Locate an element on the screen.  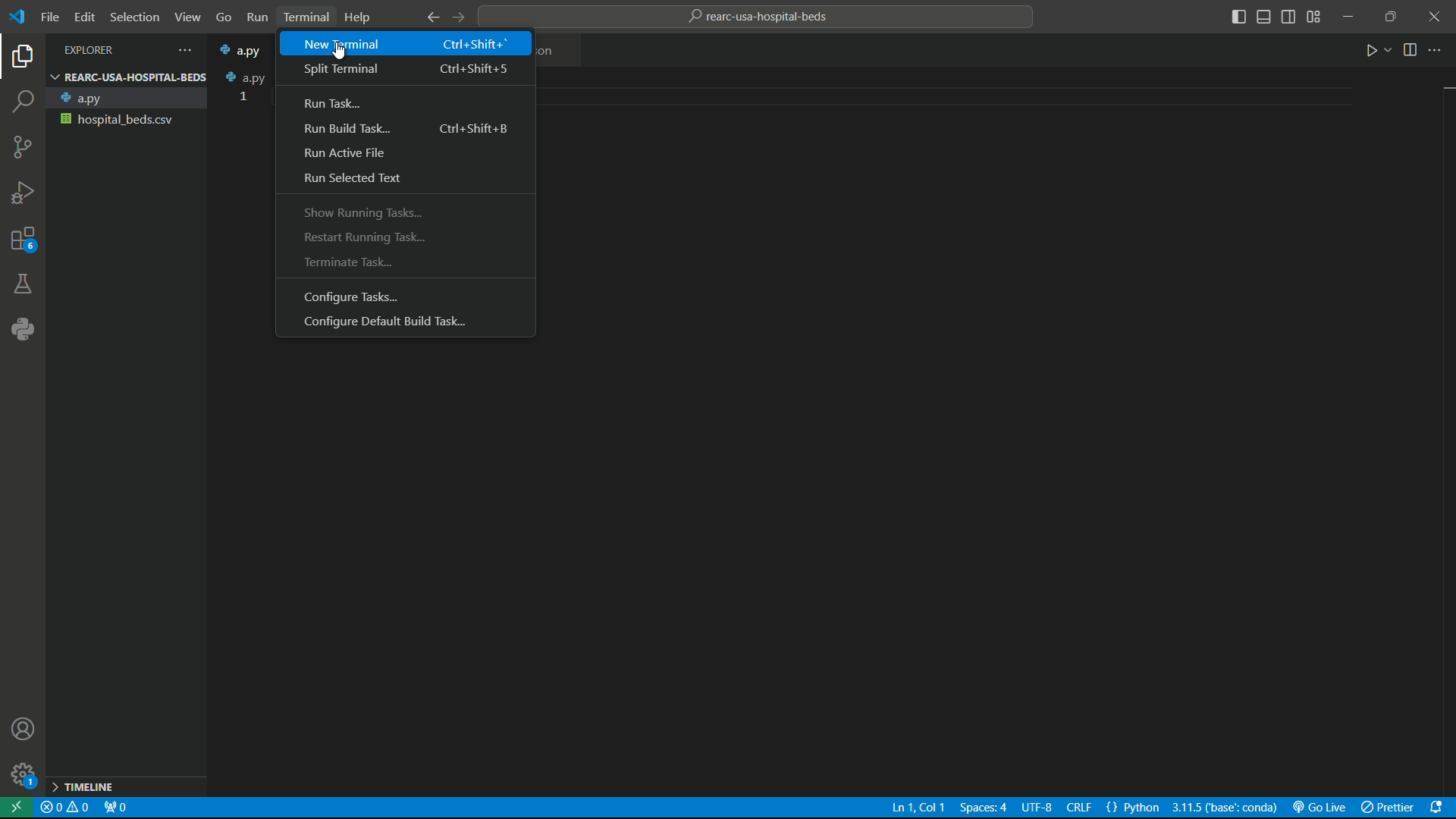
extensions is located at coordinates (21, 237).